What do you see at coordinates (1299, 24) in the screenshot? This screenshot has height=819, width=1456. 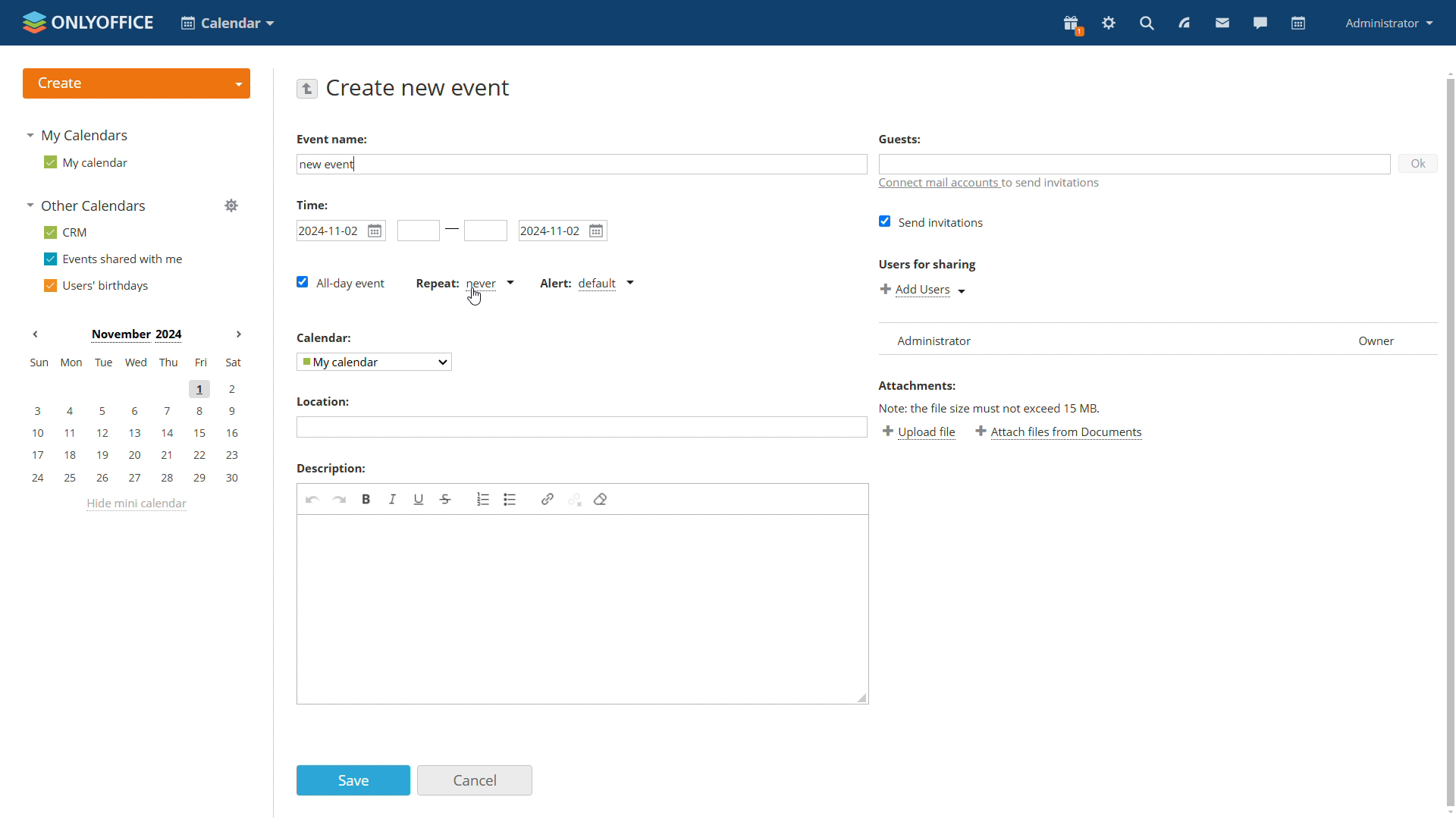 I see `calendar` at bounding box center [1299, 24].